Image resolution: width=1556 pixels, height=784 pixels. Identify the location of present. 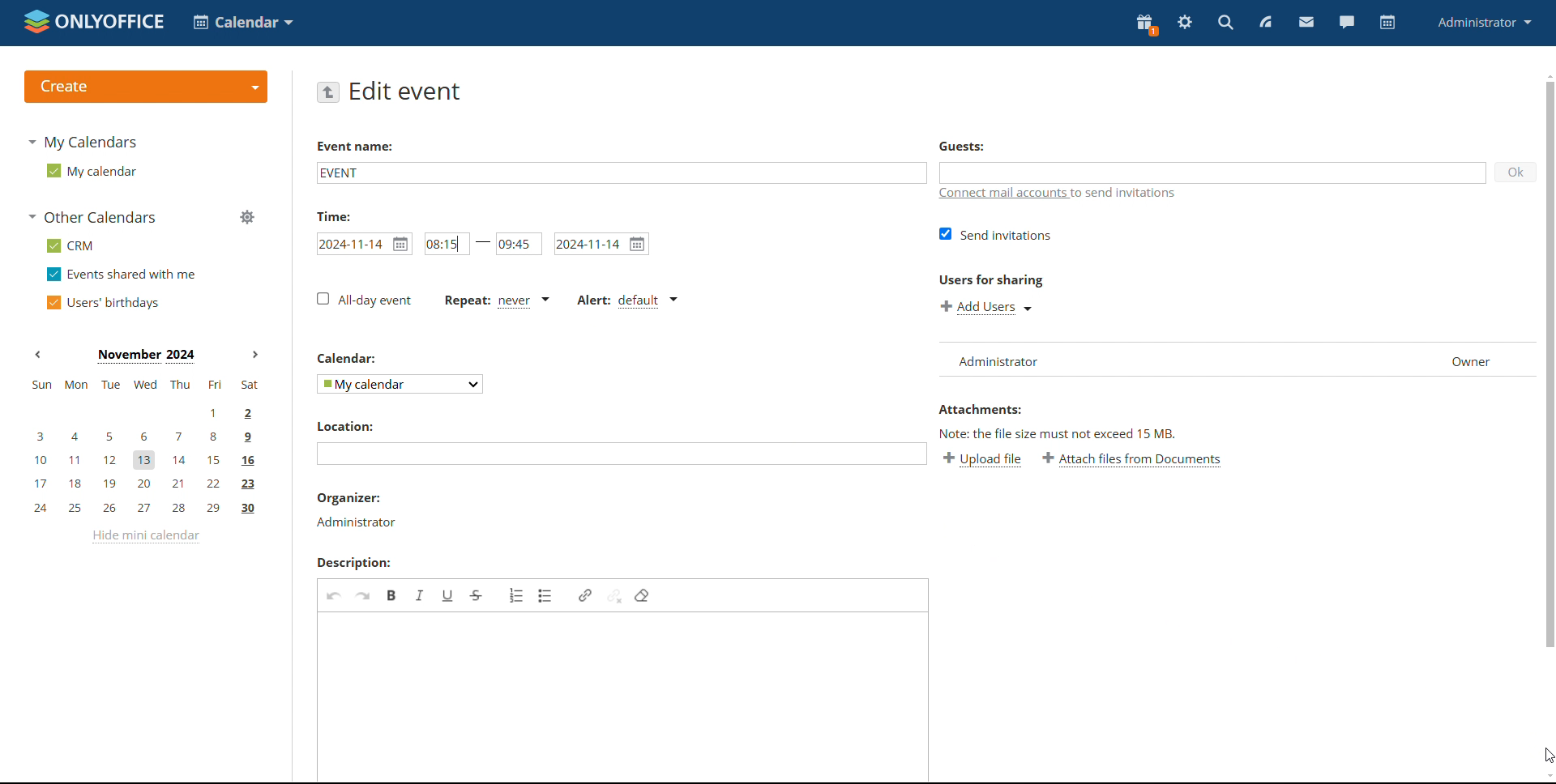
(1145, 25).